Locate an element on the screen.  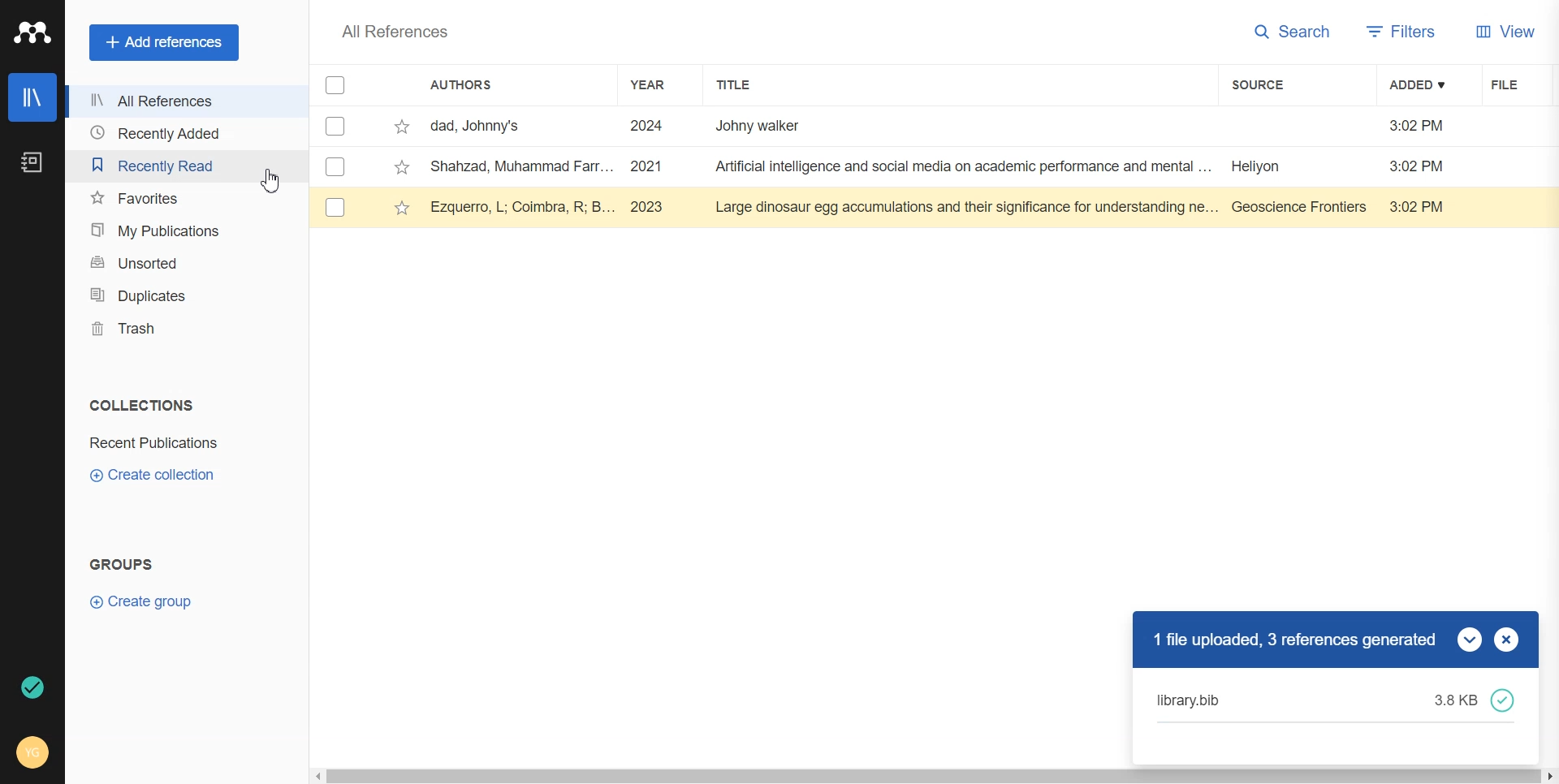
Recently Added is located at coordinates (177, 131).